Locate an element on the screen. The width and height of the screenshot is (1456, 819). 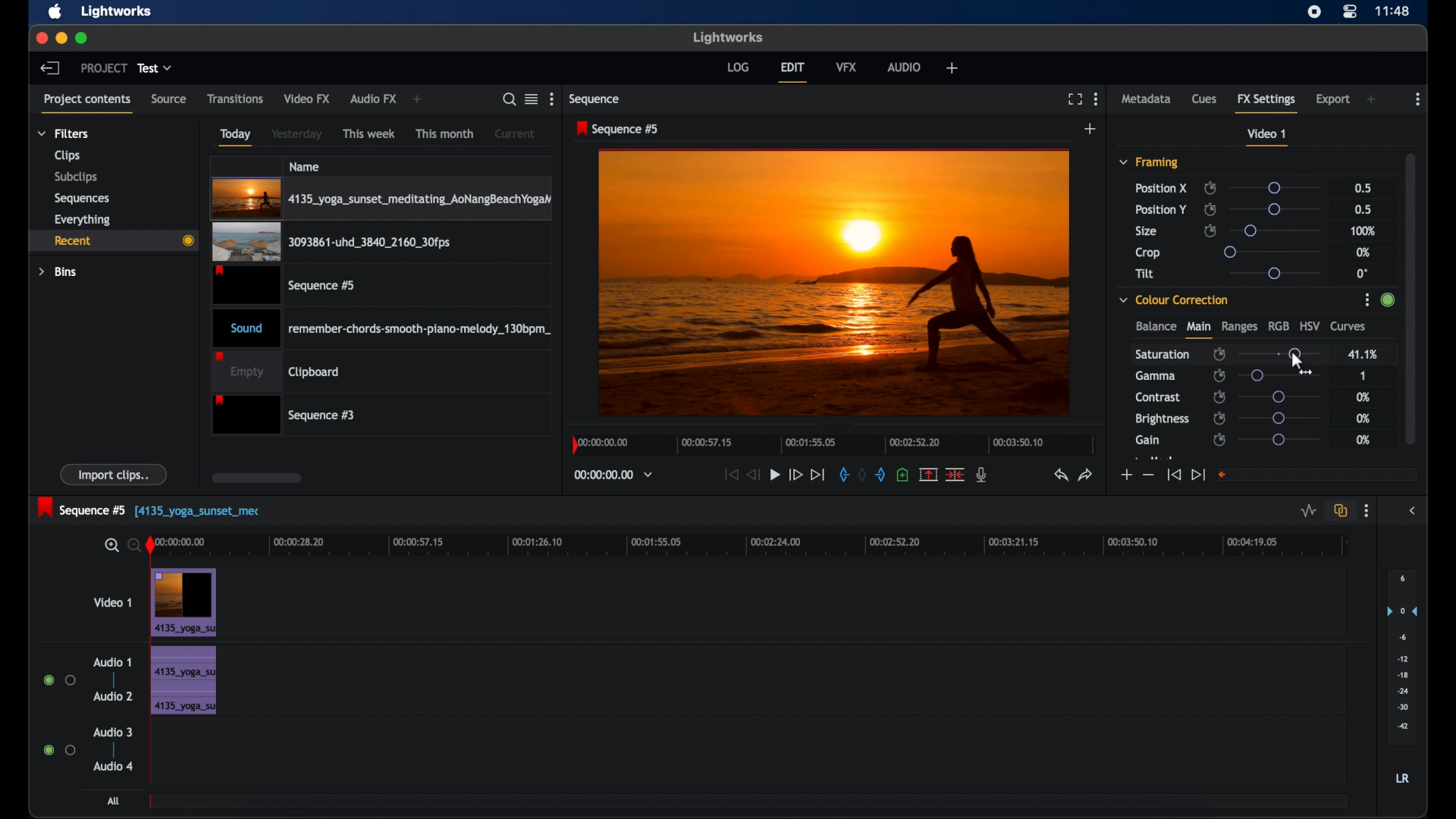
recent is located at coordinates (113, 240).